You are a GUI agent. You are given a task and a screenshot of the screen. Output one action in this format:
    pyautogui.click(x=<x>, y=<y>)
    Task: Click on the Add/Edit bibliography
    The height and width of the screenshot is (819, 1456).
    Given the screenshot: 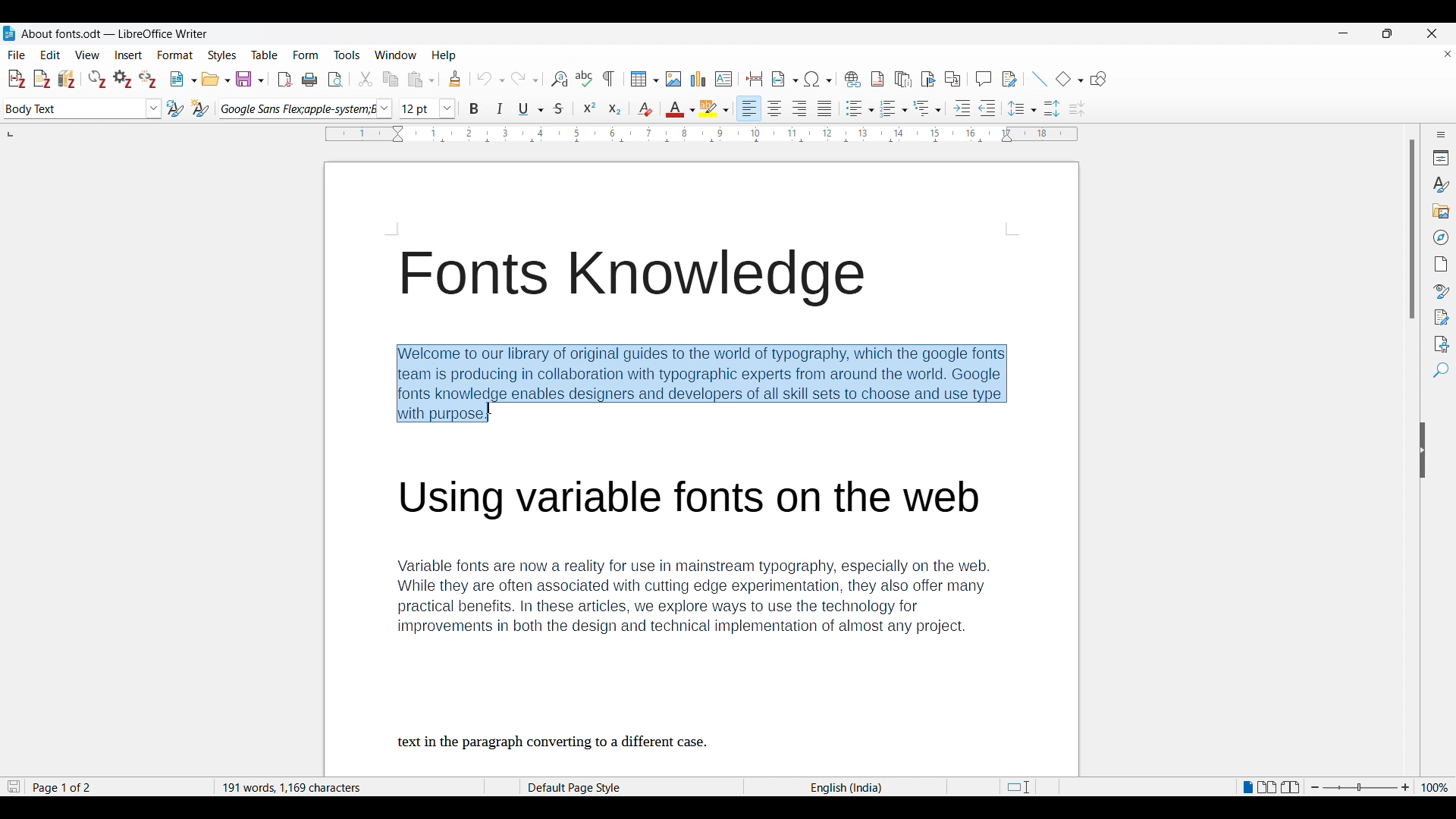 What is the action you would take?
    pyautogui.click(x=67, y=80)
    